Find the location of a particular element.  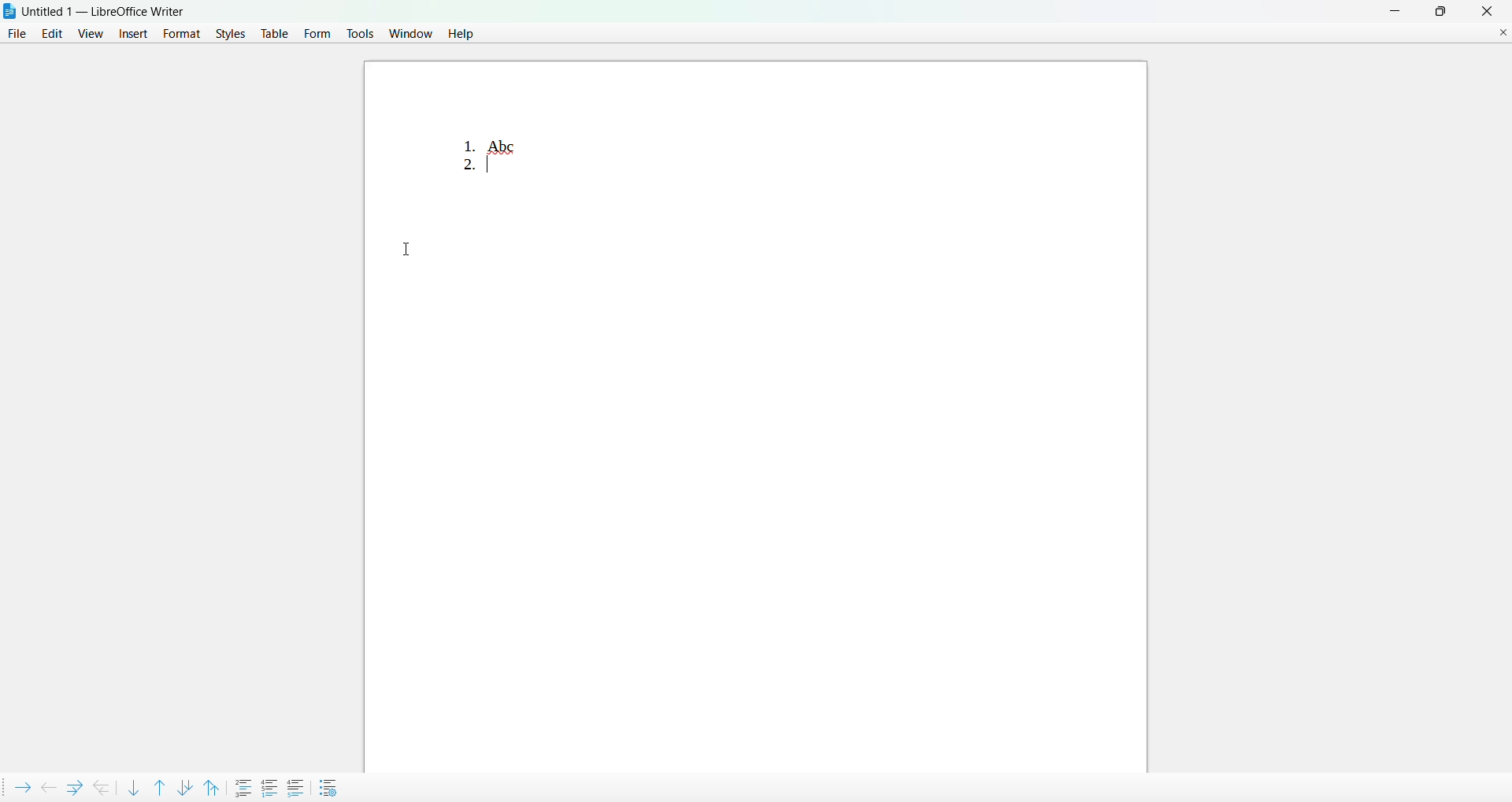

insert is located at coordinates (131, 35).